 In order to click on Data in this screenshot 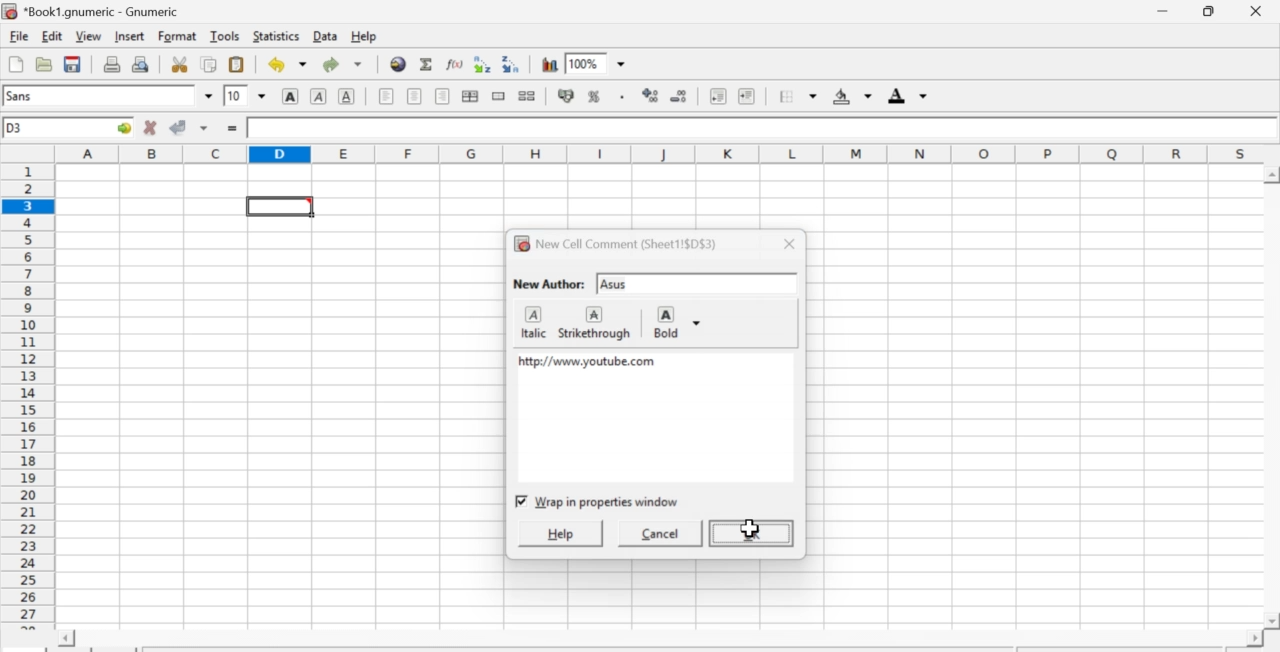, I will do `click(326, 36)`.